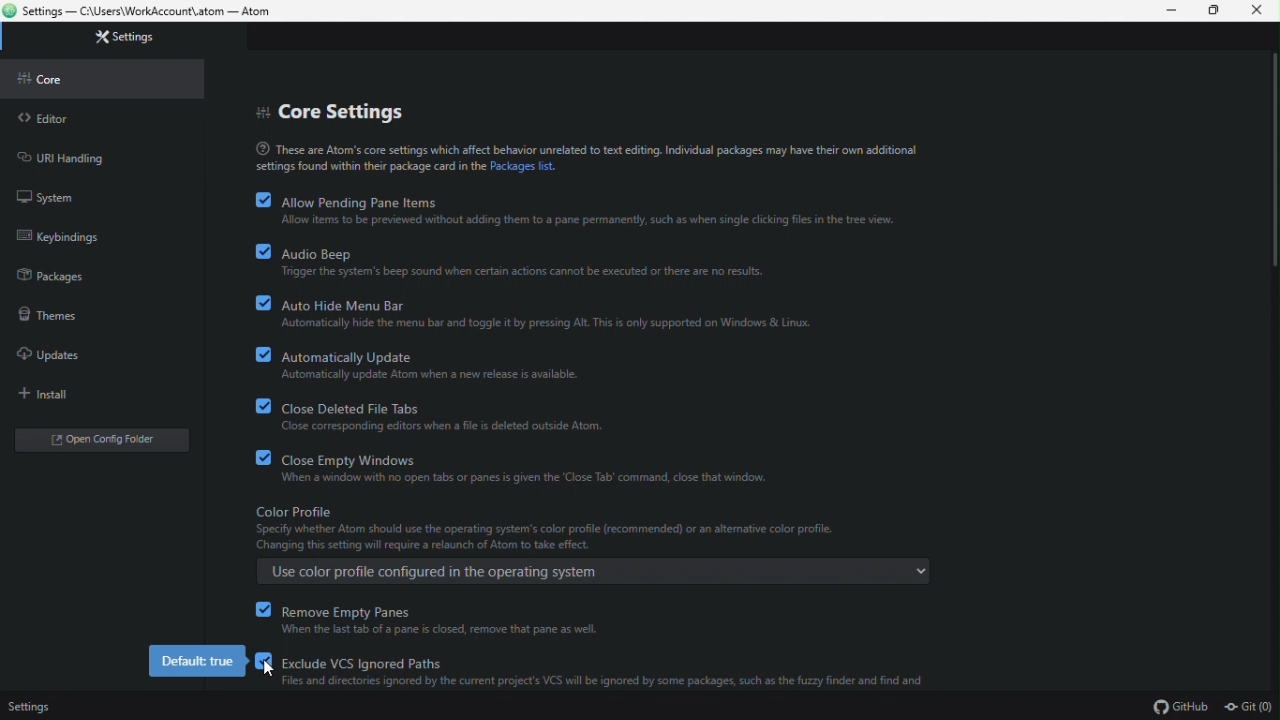 Image resolution: width=1280 pixels, height=720 pixels. What do you see at coordinates (602, 262) in the screenshot?
I see `audio beep` at bounding box center [602, 262].